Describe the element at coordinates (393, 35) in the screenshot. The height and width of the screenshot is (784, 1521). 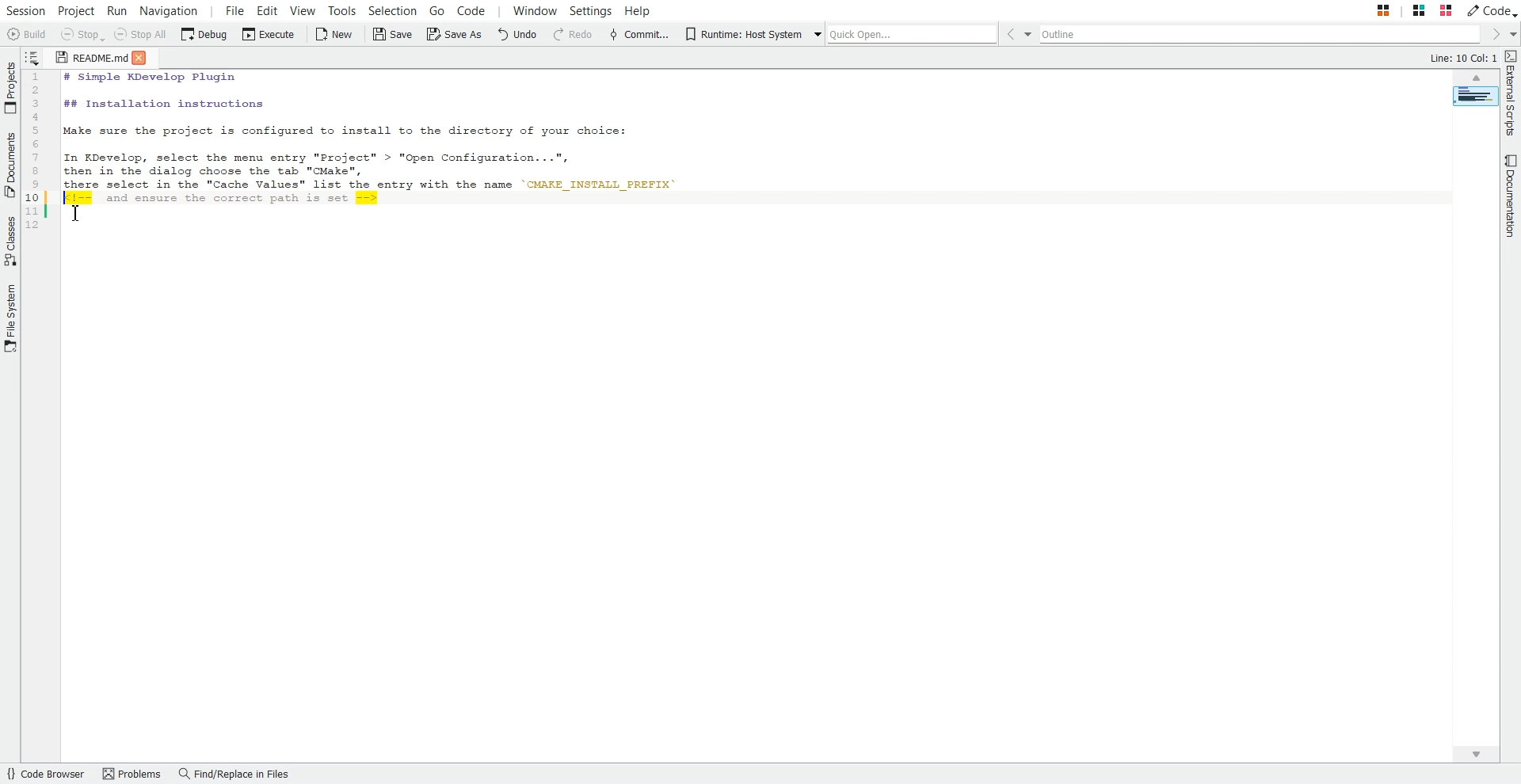
I see `Save` at that location.